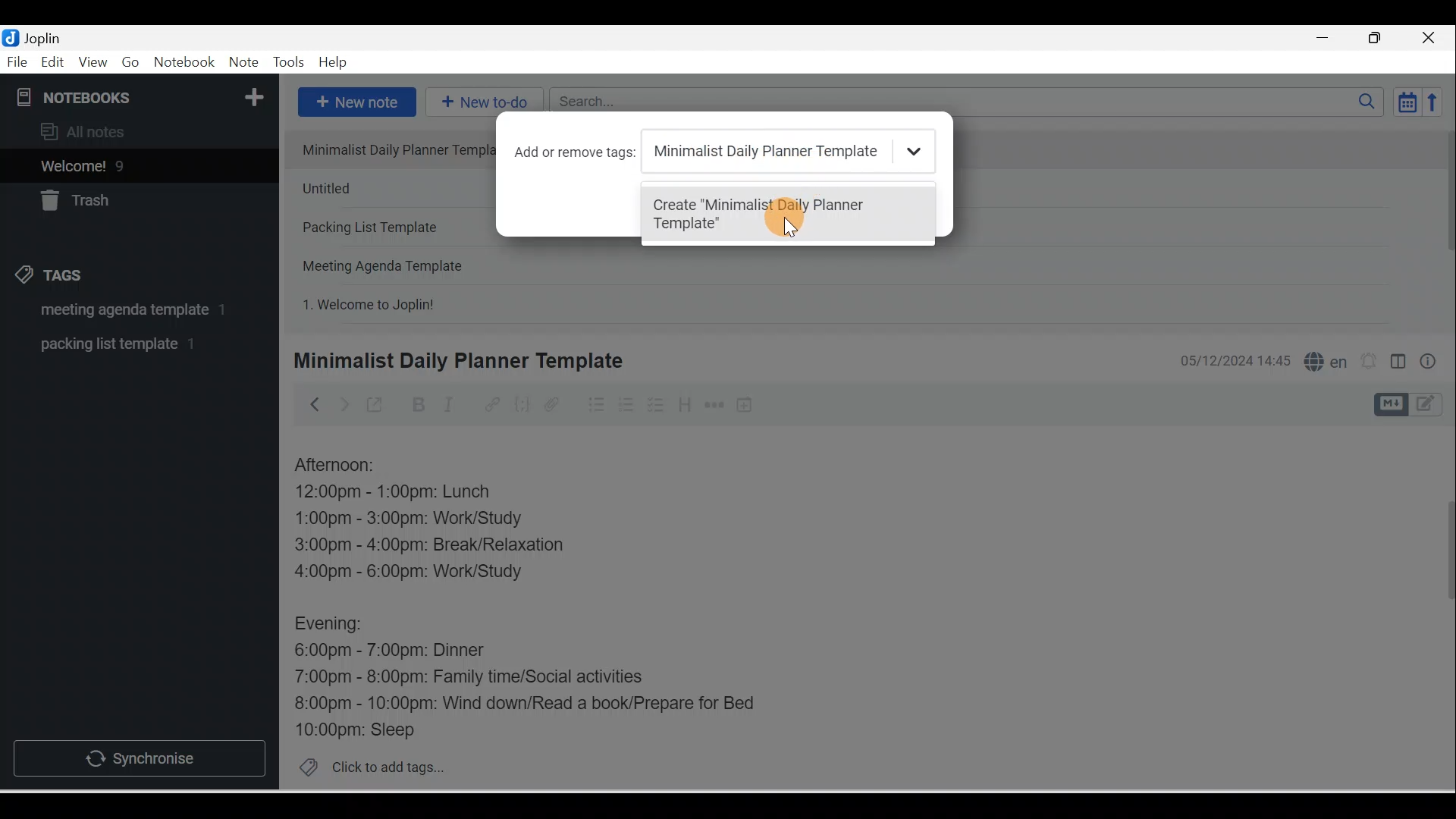 The width and height of the screenshot is (1456, 819). What do you see at coordinates (128, 344) in the screenshot?
I see `Tag 2` at bounding box center [128, 344].